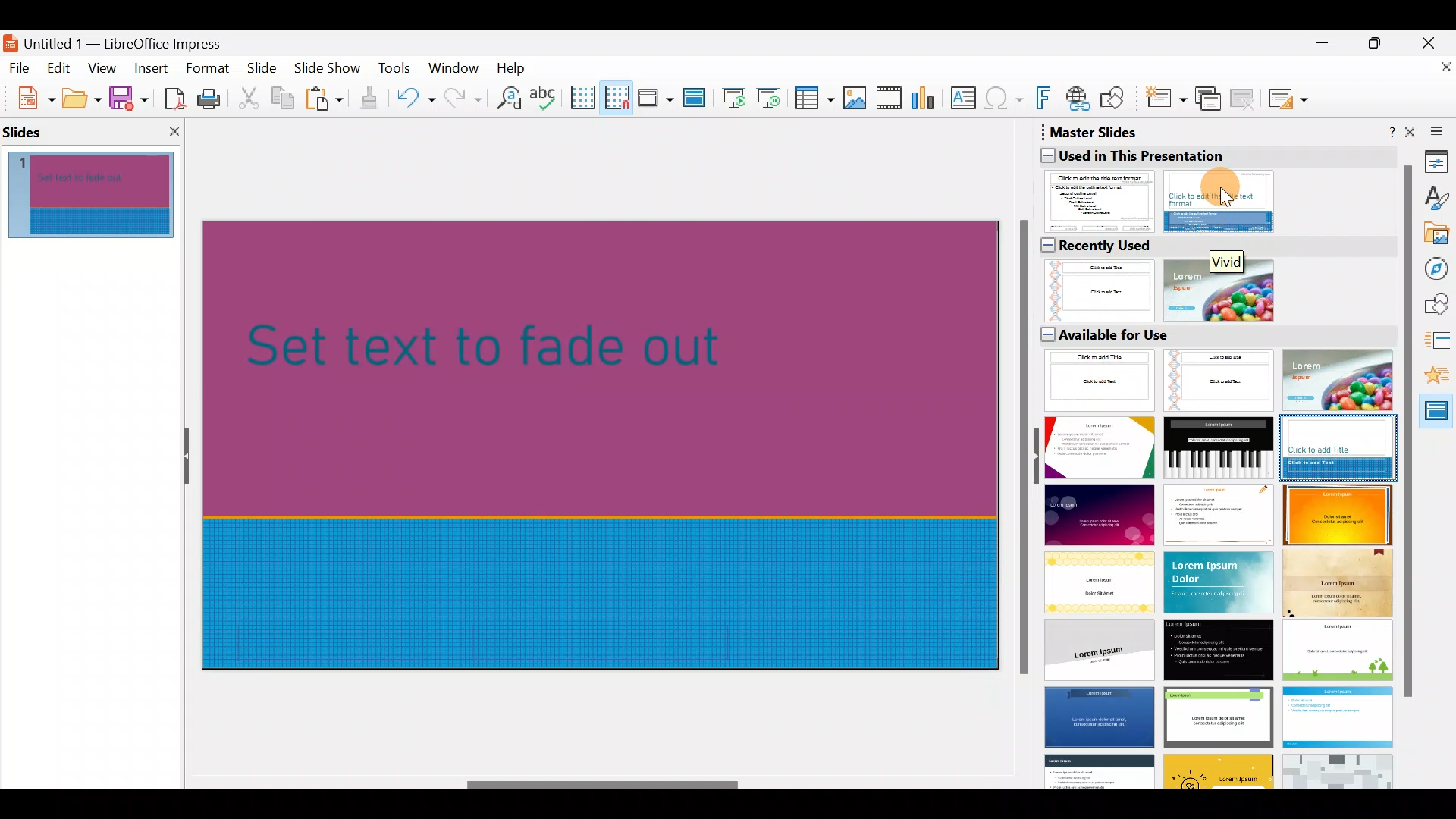 The image size is (1456, 819). Describe the element at coordinates (20, 67) in the screenshot. I see `File` at that location.